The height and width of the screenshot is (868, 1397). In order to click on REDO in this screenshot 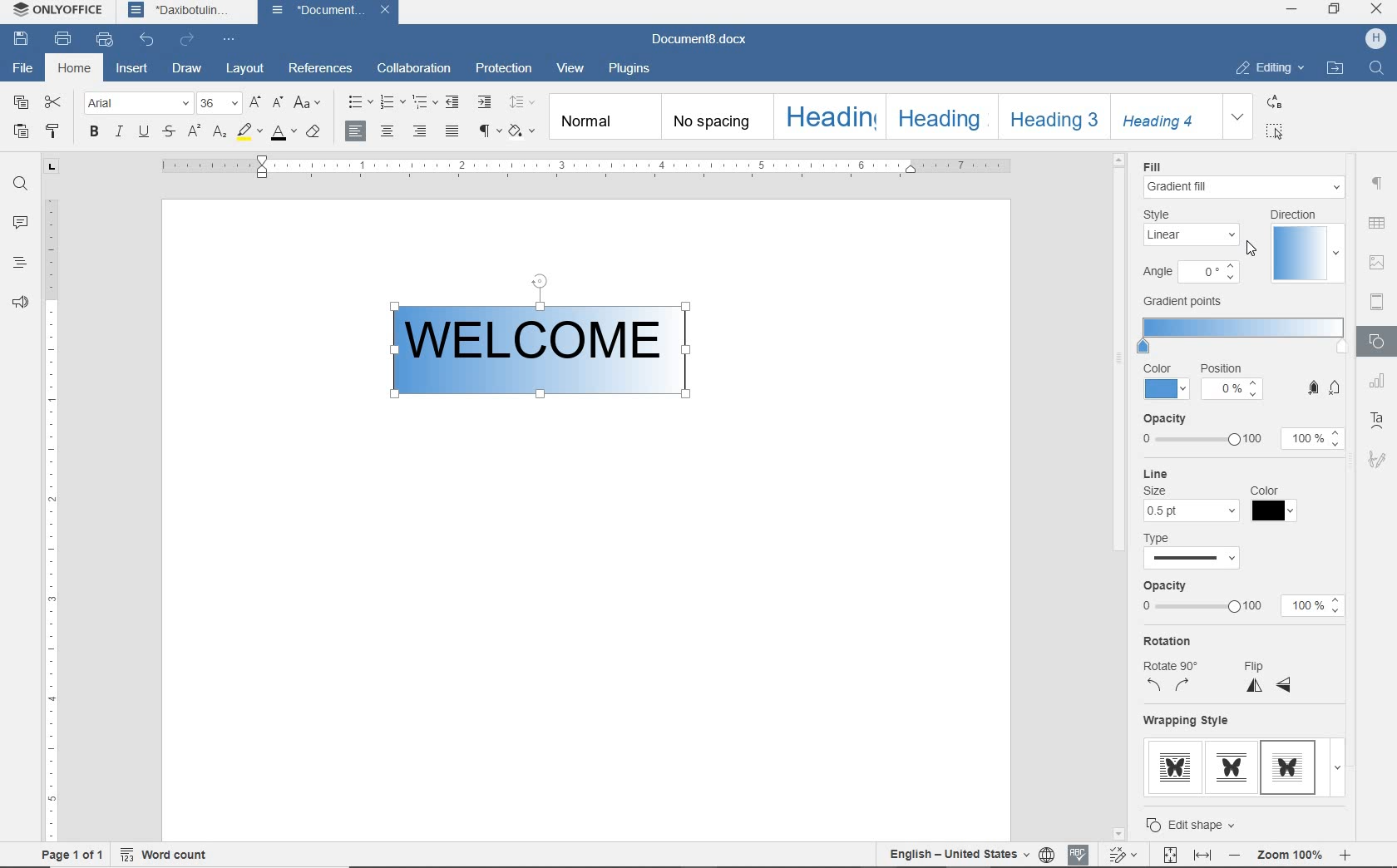, I will do `click(188, 39)`.